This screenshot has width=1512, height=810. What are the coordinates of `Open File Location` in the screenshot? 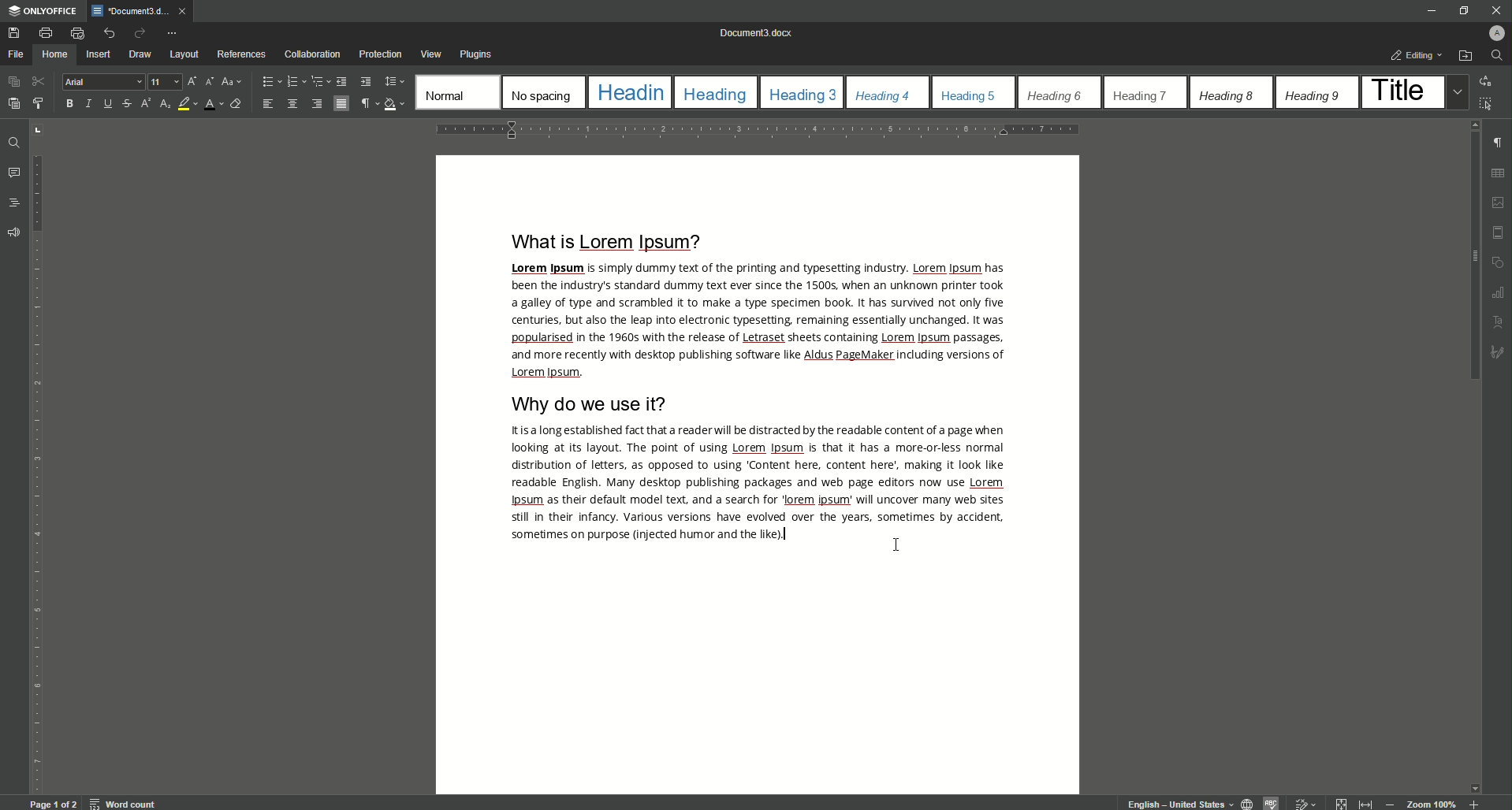 It's located at (1465, 54).